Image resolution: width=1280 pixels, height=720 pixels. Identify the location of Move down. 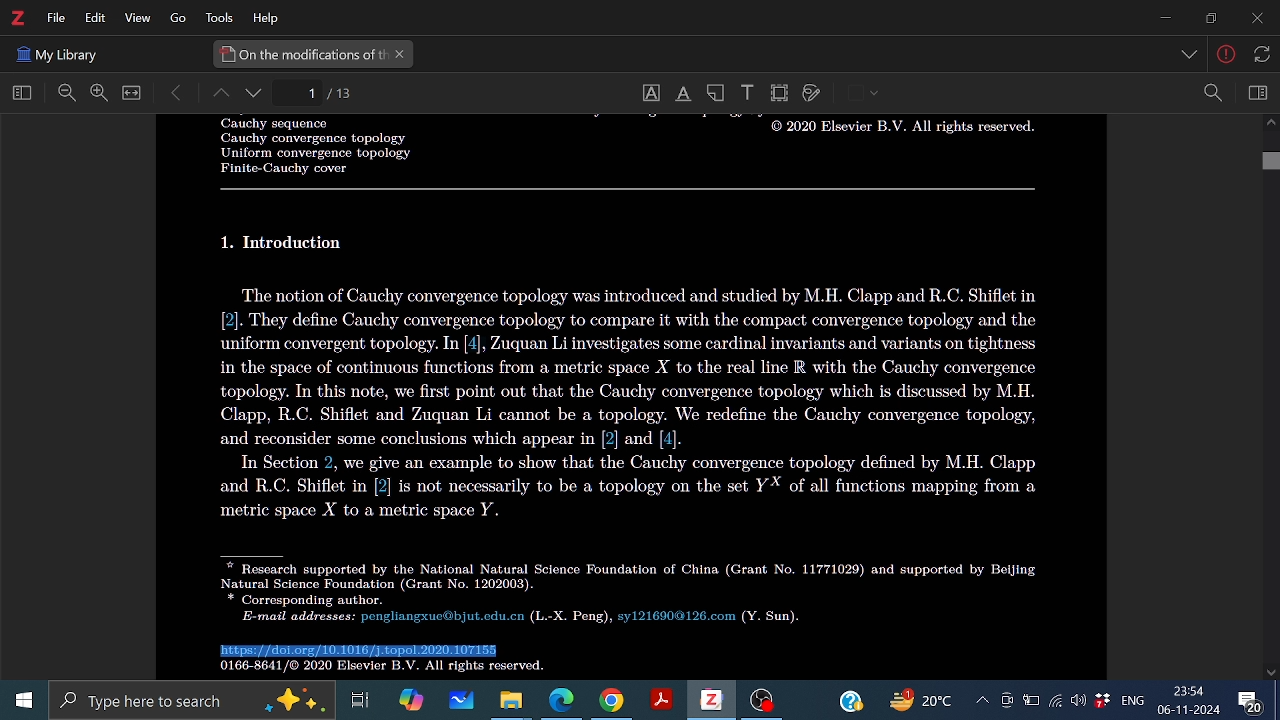
(1272, 672).